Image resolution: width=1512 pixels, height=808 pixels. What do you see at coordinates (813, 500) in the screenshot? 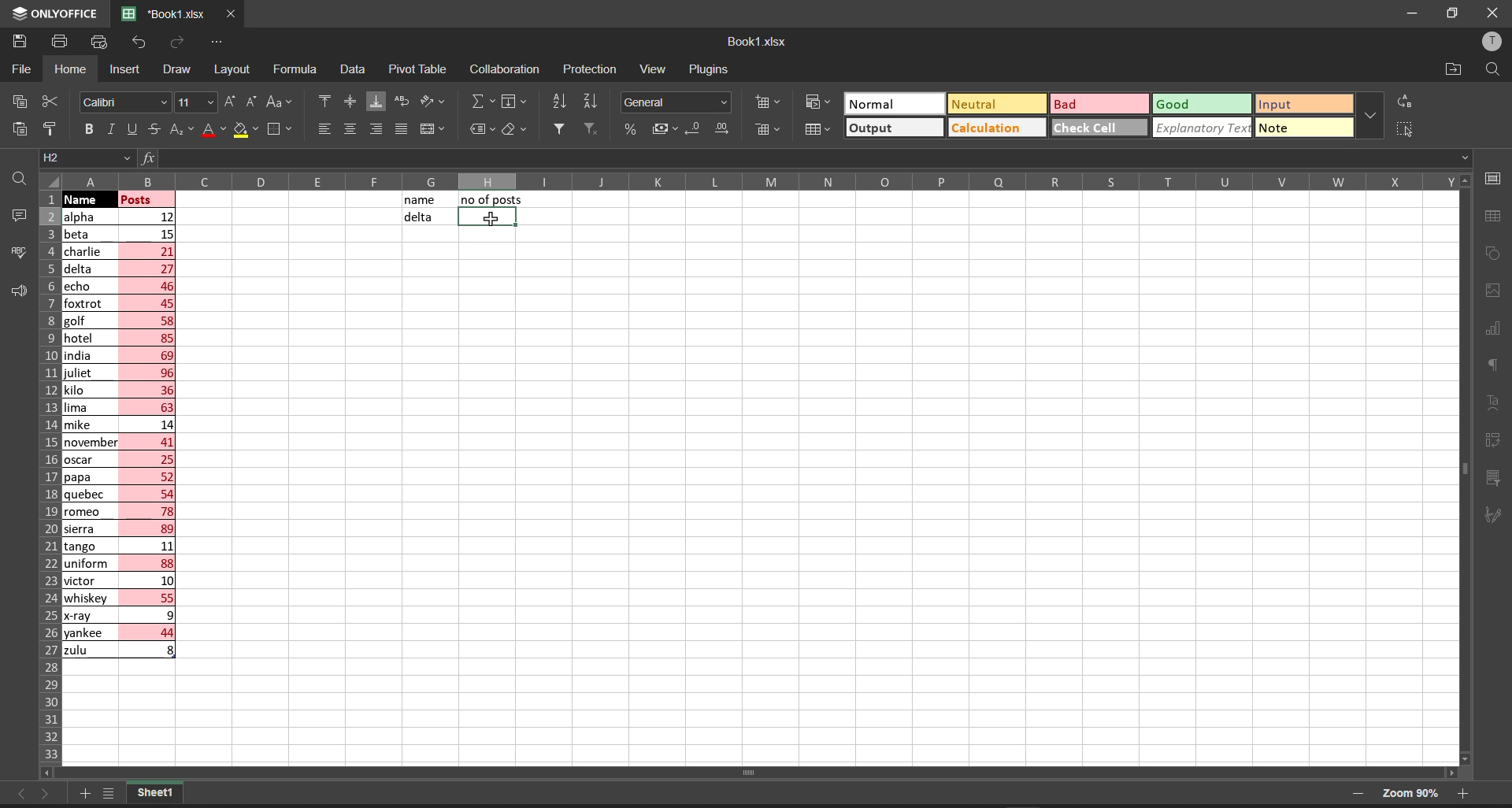
I see `emty cell` at bounding box center [813, 500].